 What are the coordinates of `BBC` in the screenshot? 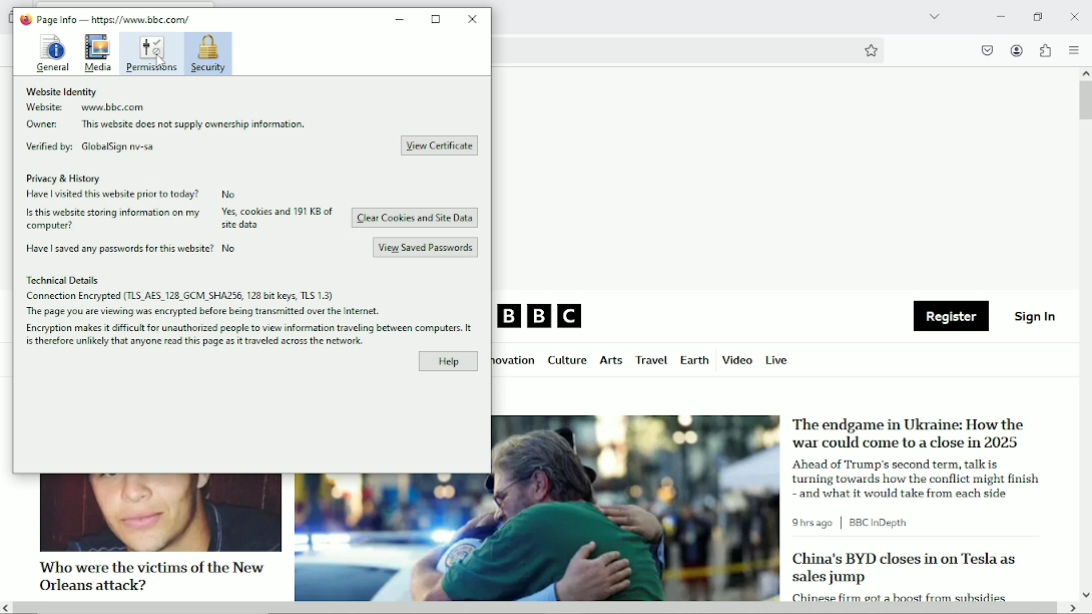 It's located at (541, 317).